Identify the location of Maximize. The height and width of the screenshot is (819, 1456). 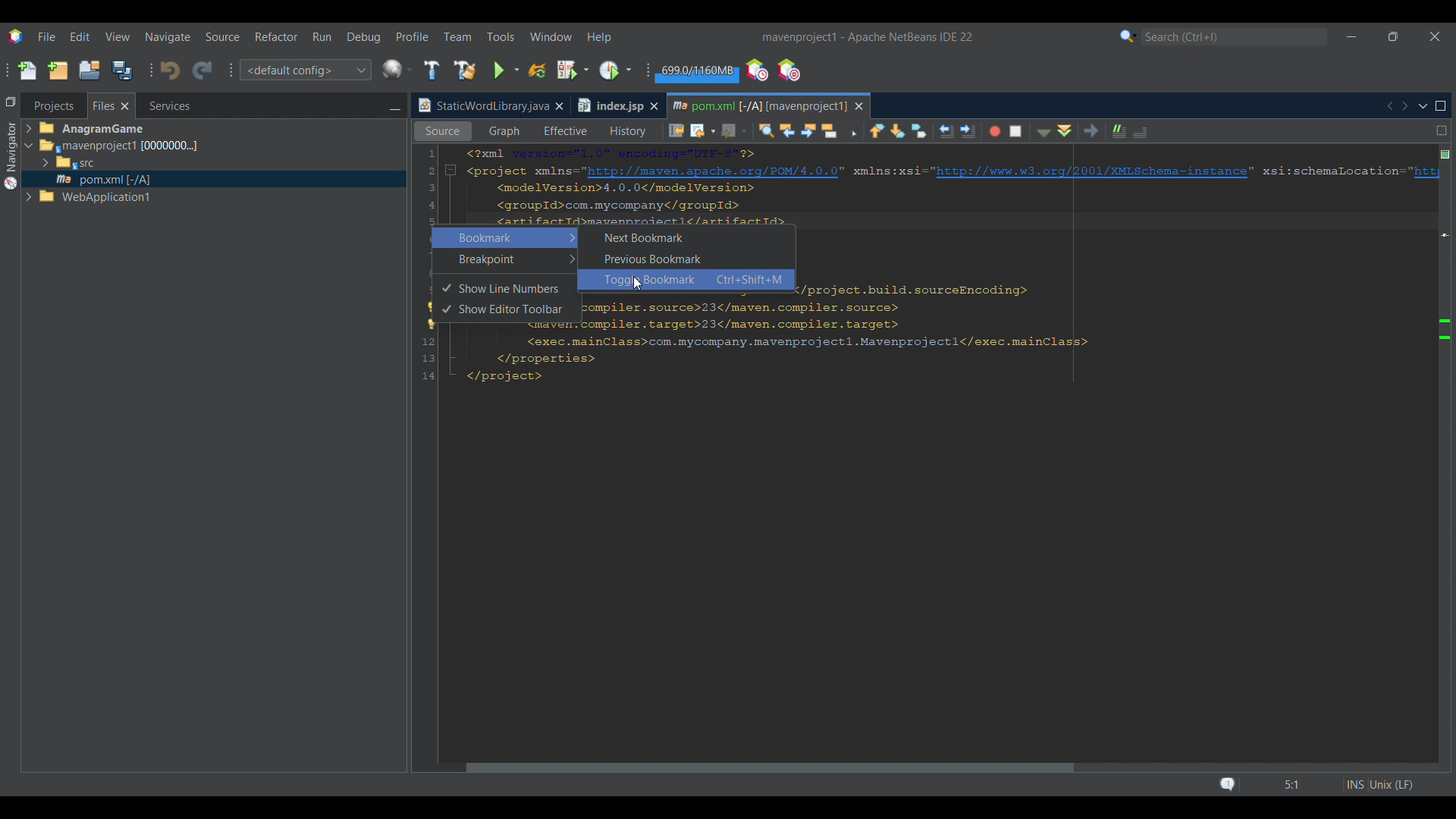
(1441, 106).